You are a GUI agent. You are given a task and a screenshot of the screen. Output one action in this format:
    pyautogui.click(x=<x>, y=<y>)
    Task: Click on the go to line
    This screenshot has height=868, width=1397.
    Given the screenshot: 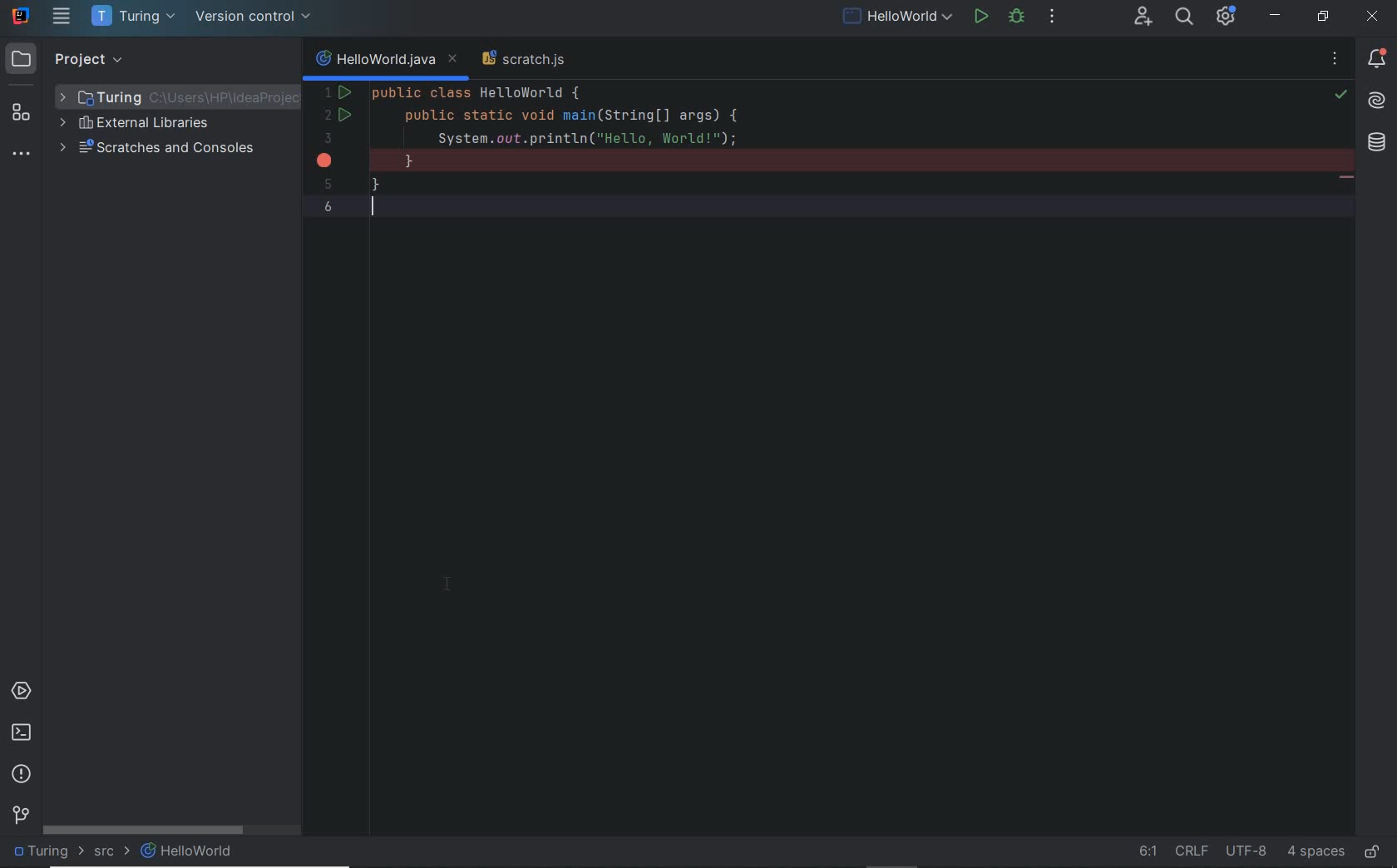 What is the action you would take?
    pyautogui.click(x=1149, y=850)
    